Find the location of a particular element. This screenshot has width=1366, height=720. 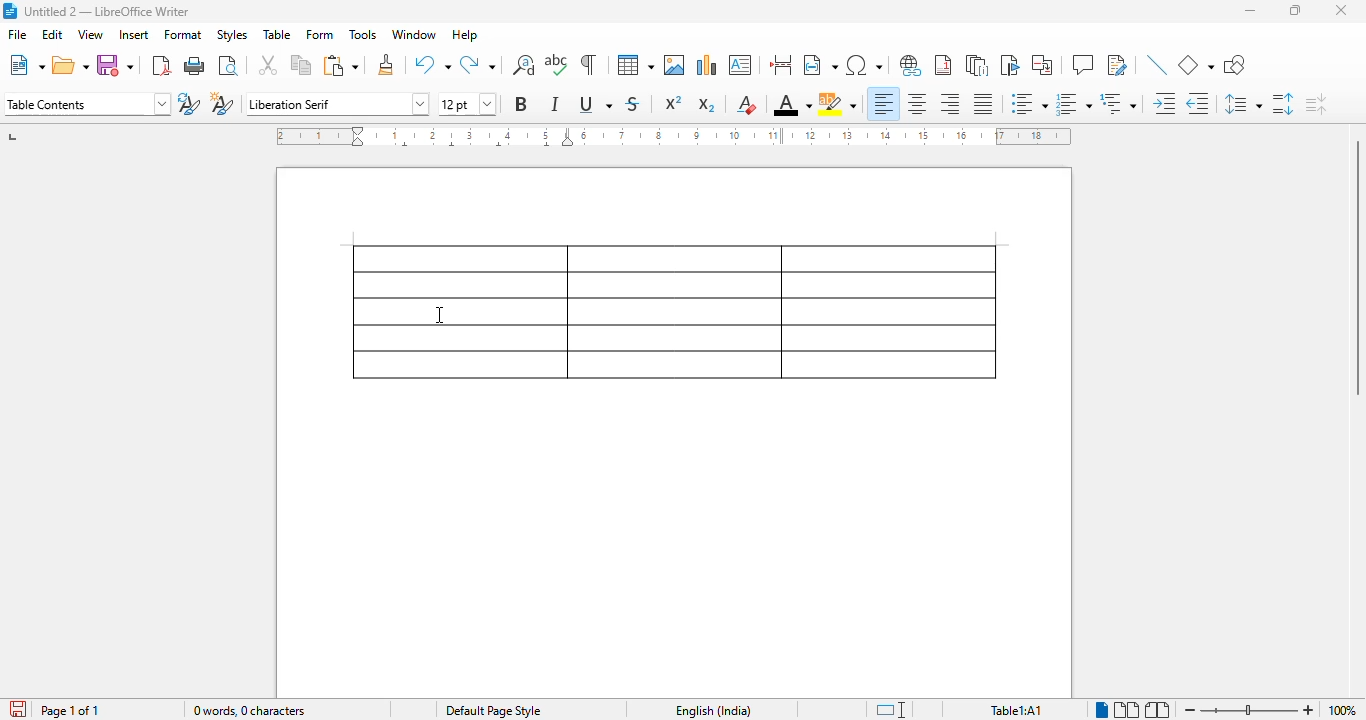

copy is located at coordinates (302, 66).